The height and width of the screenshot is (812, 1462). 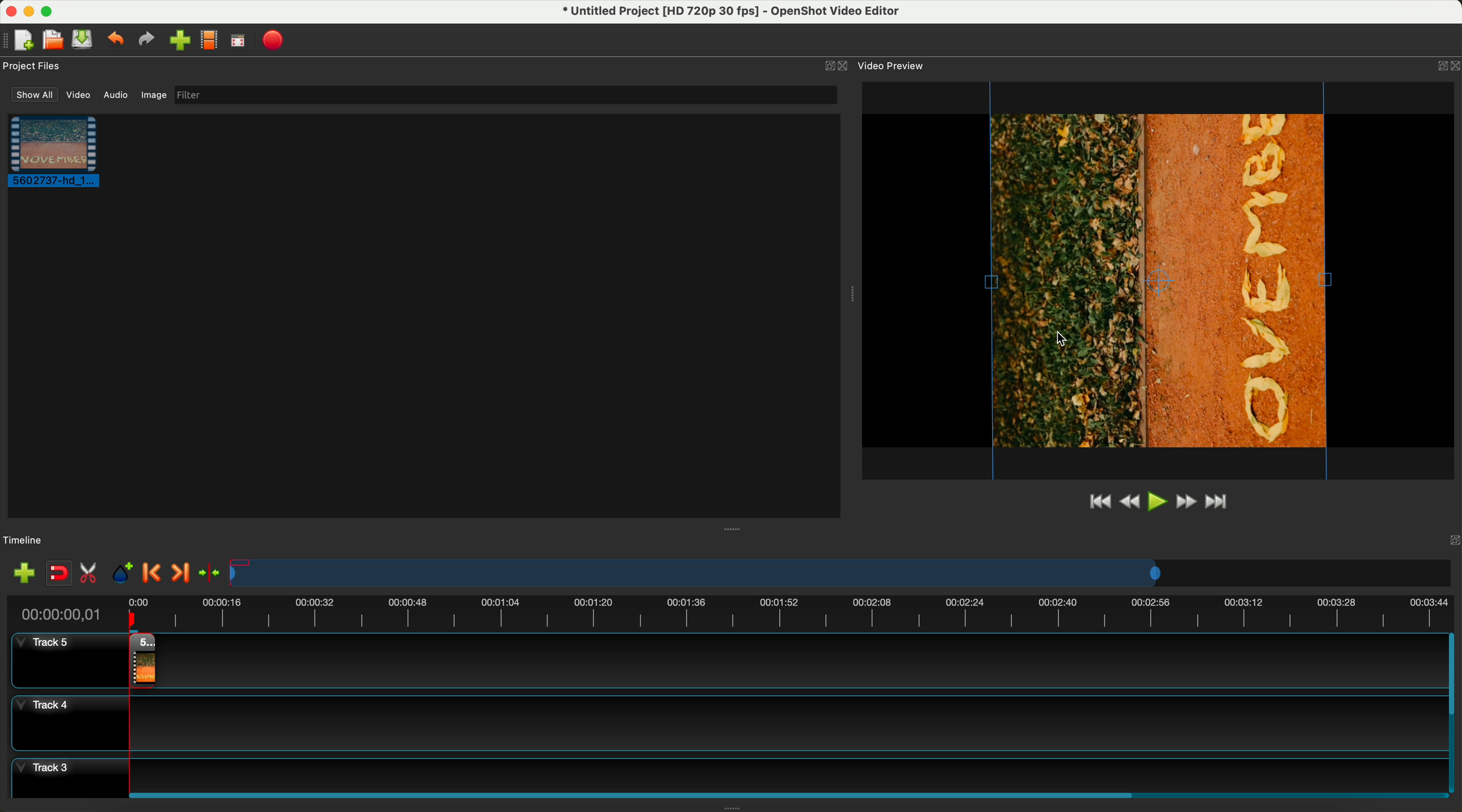 I want to click on audio, so click(x=116, y=95).